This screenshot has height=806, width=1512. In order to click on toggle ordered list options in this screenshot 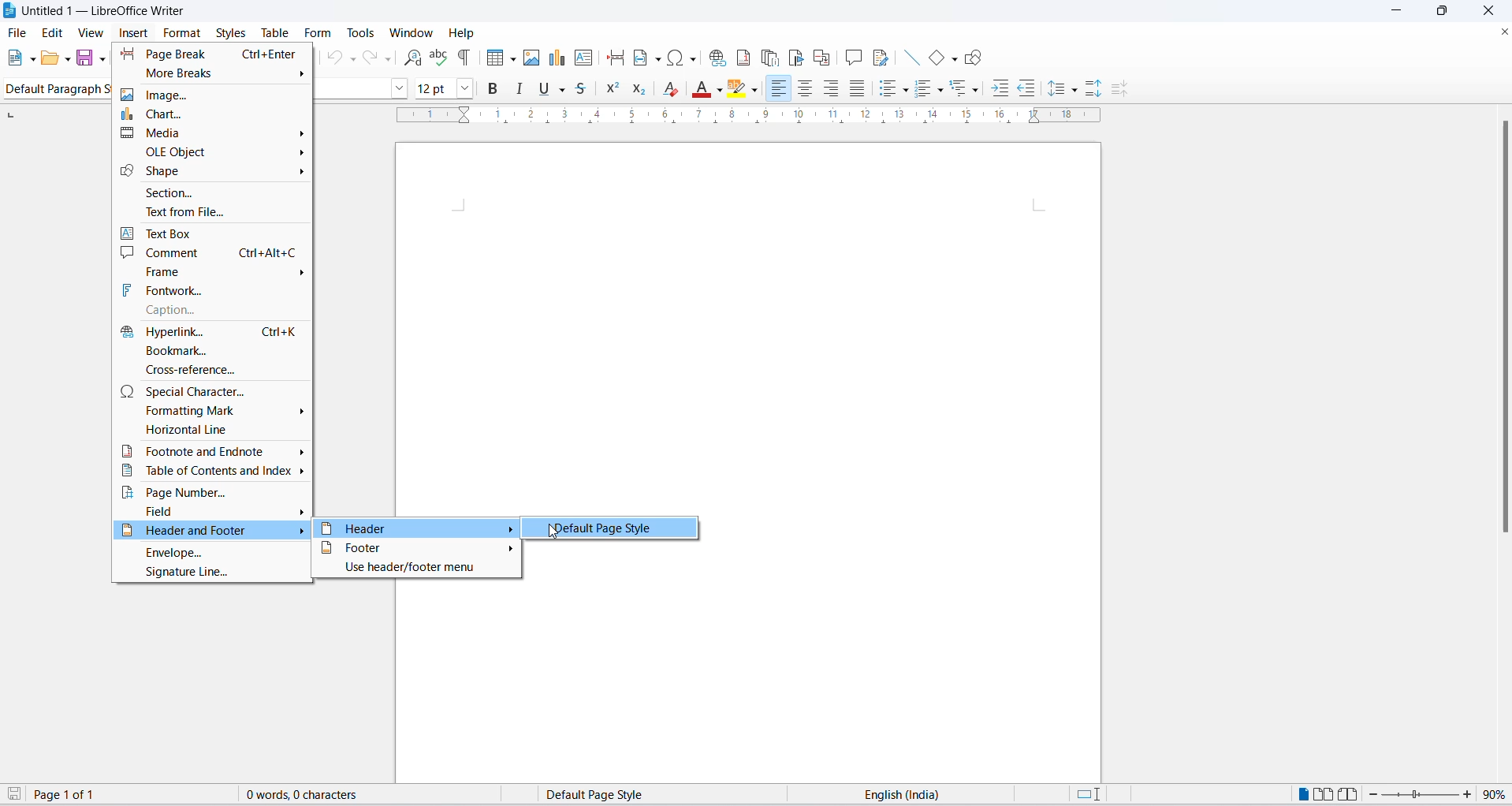, I will do `click(923, 90)`.